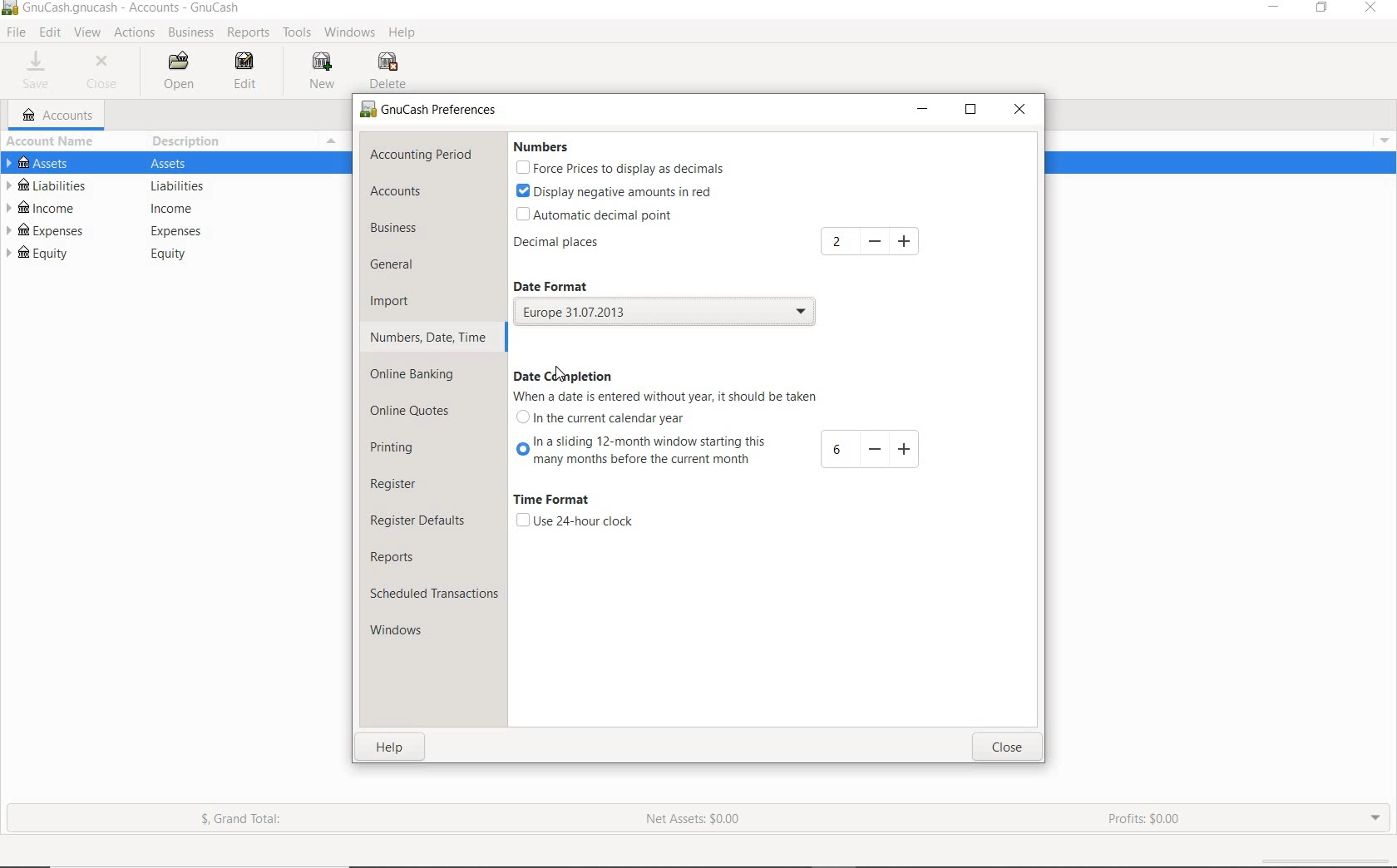 Image resolution: width=1397 pixels, height=868 pixels. What do you see at coordinates (1374, 816) in the screenshot?
I see `EXPAND` at bounding box center [1374, 816].